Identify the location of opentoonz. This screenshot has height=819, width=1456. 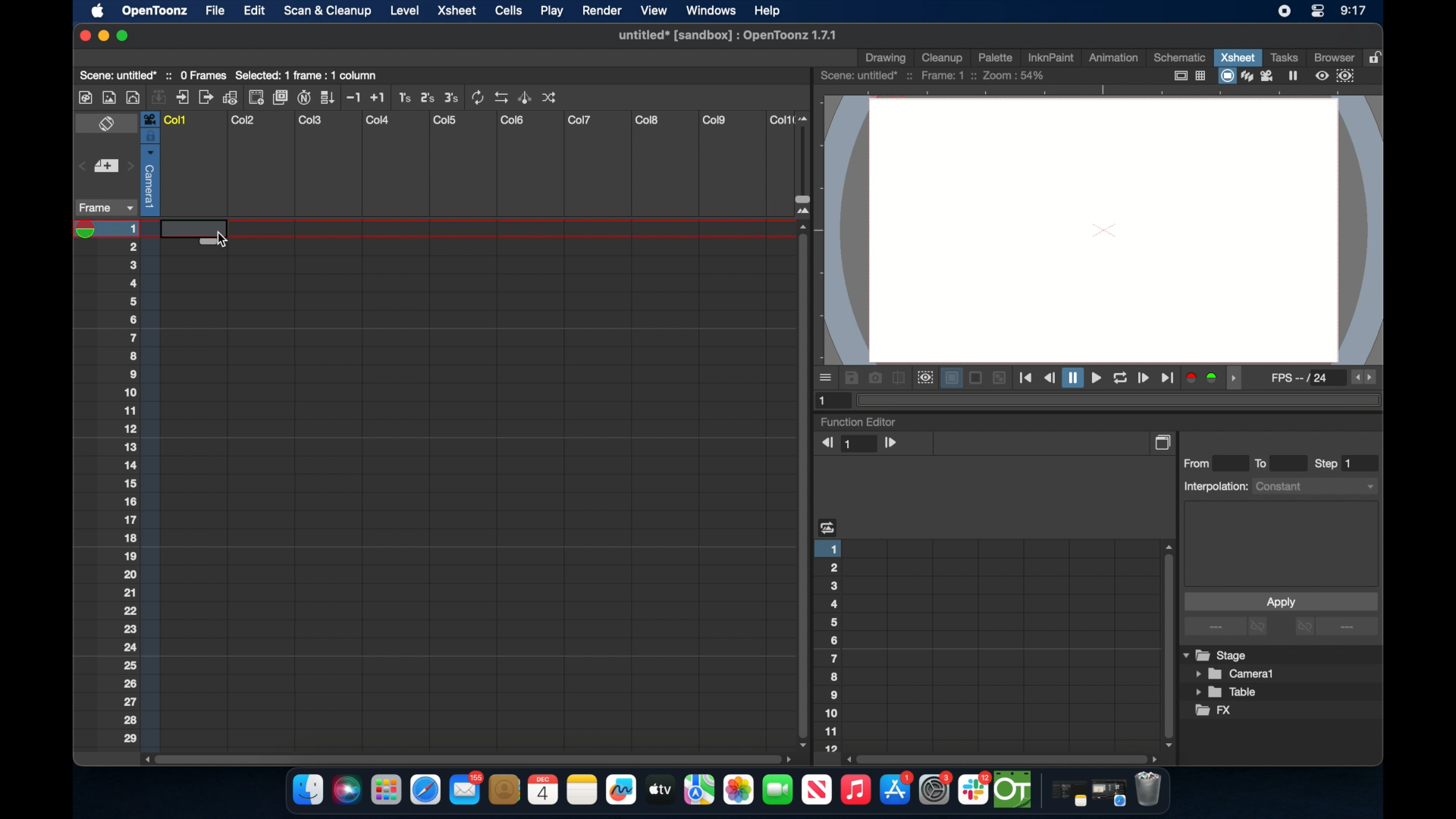
(1014, 790).